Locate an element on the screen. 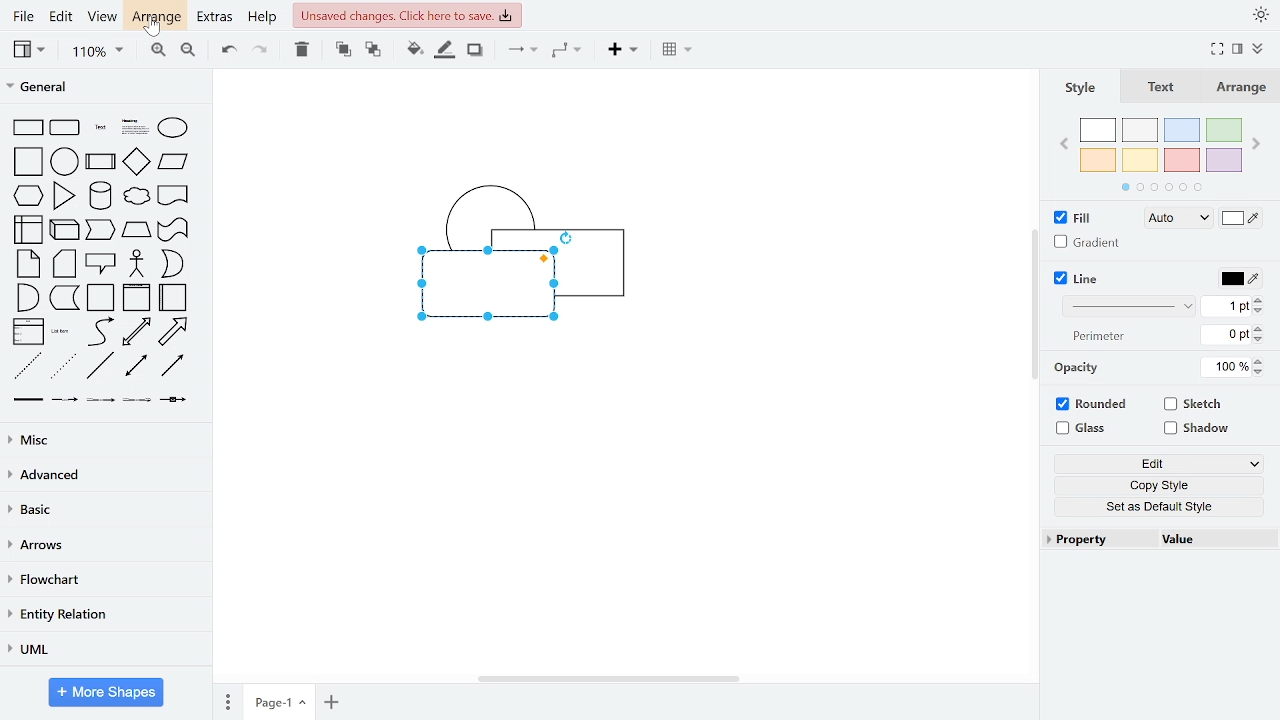 The height and width of the screenshot is (720, 1280). zoom out is located at coordinates (190, 51).